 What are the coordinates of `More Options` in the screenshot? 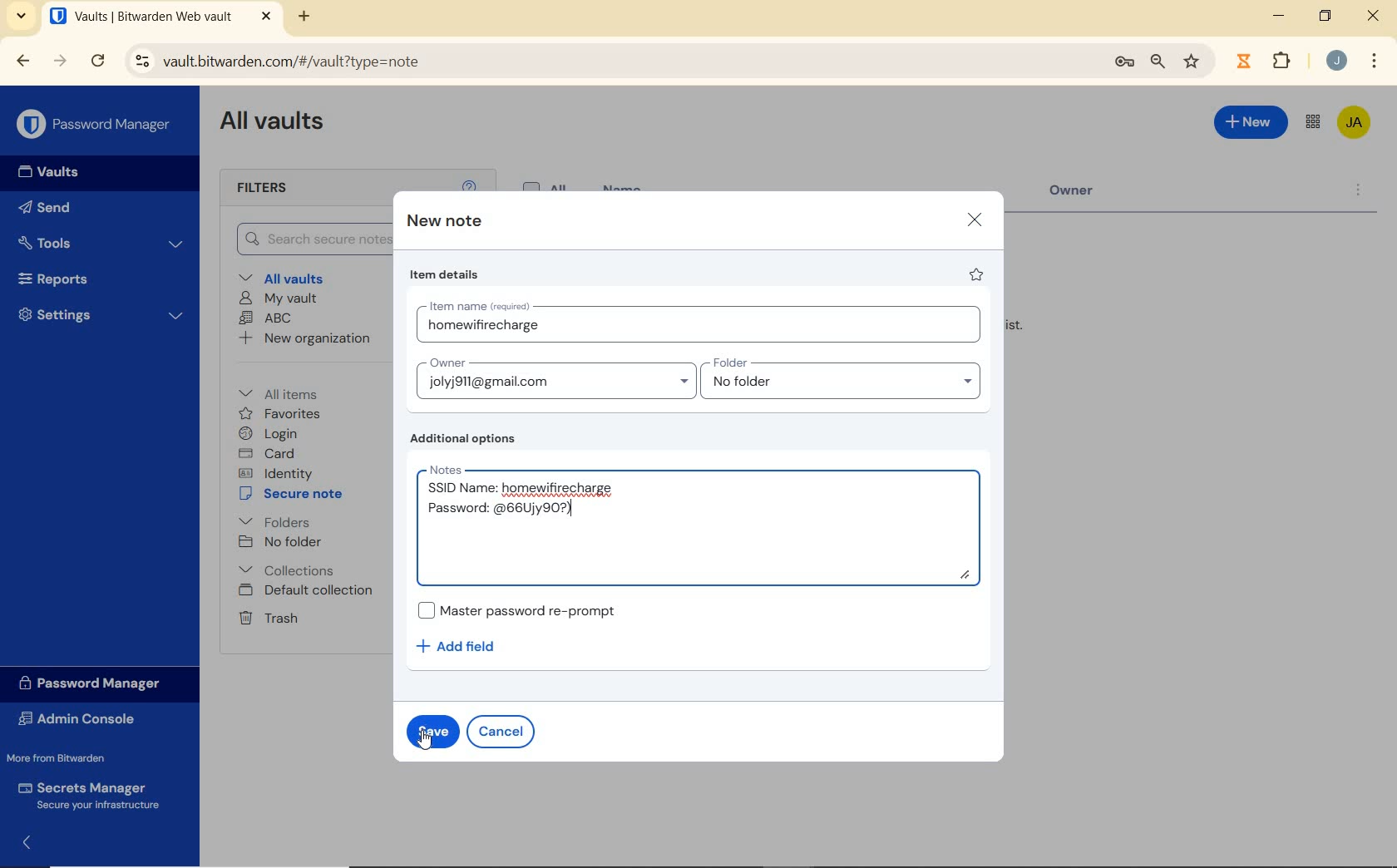 It's located at (1375, 59).